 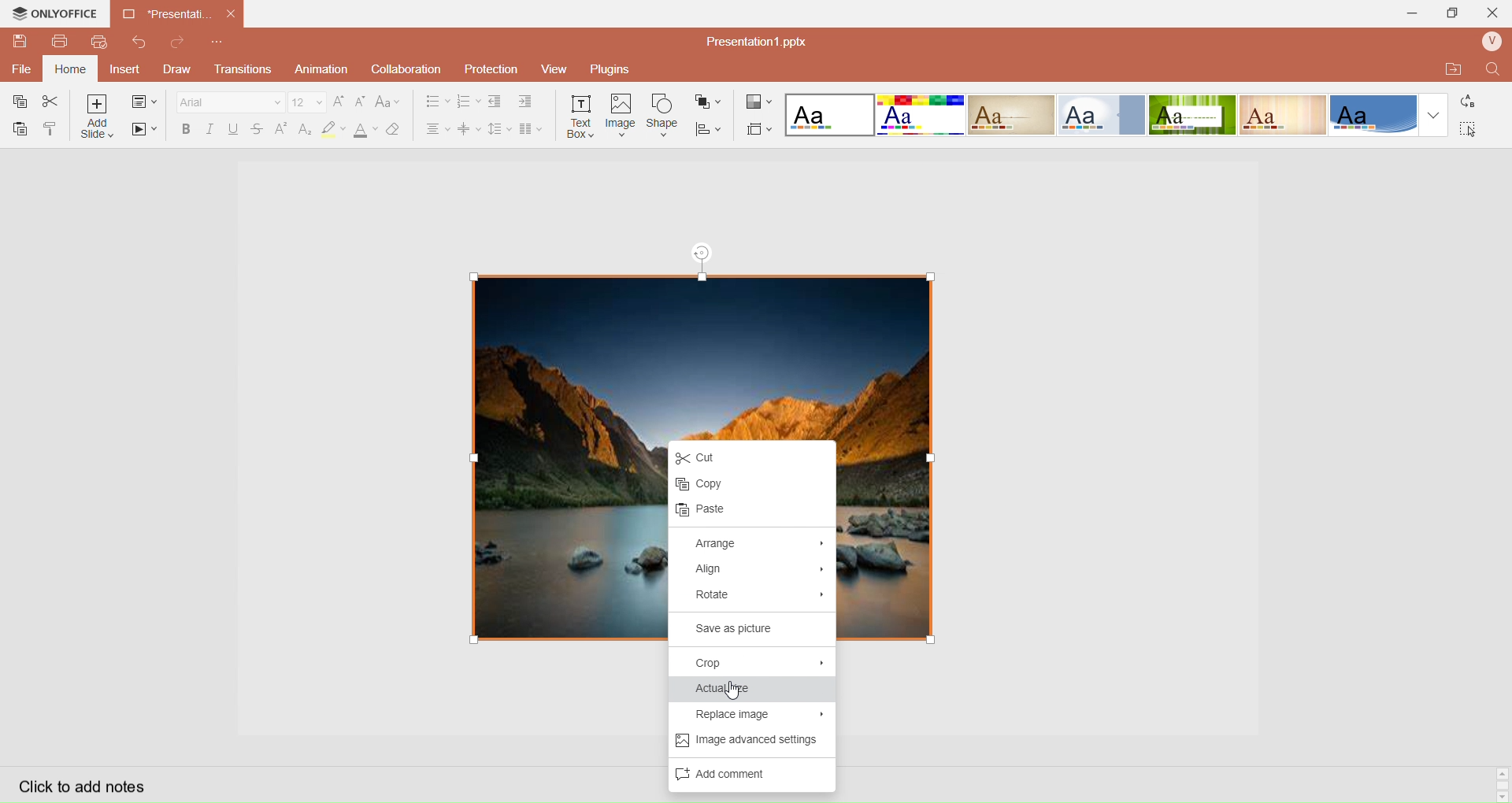 I want to click on Clear Style, so click(x=396, y=129).